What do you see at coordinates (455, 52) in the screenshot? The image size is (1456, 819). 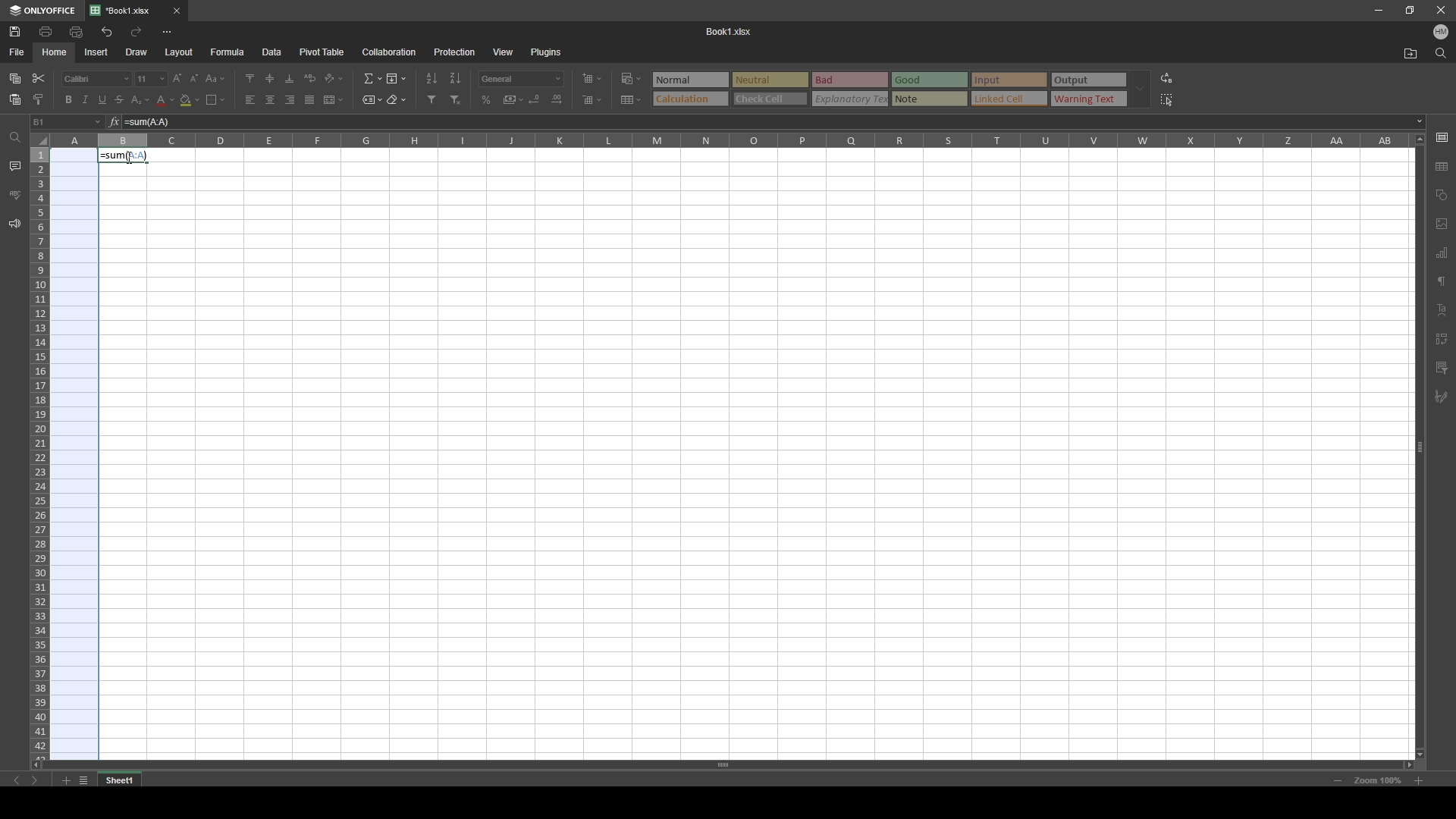 I see `protection` at bounding box center [455, 52].